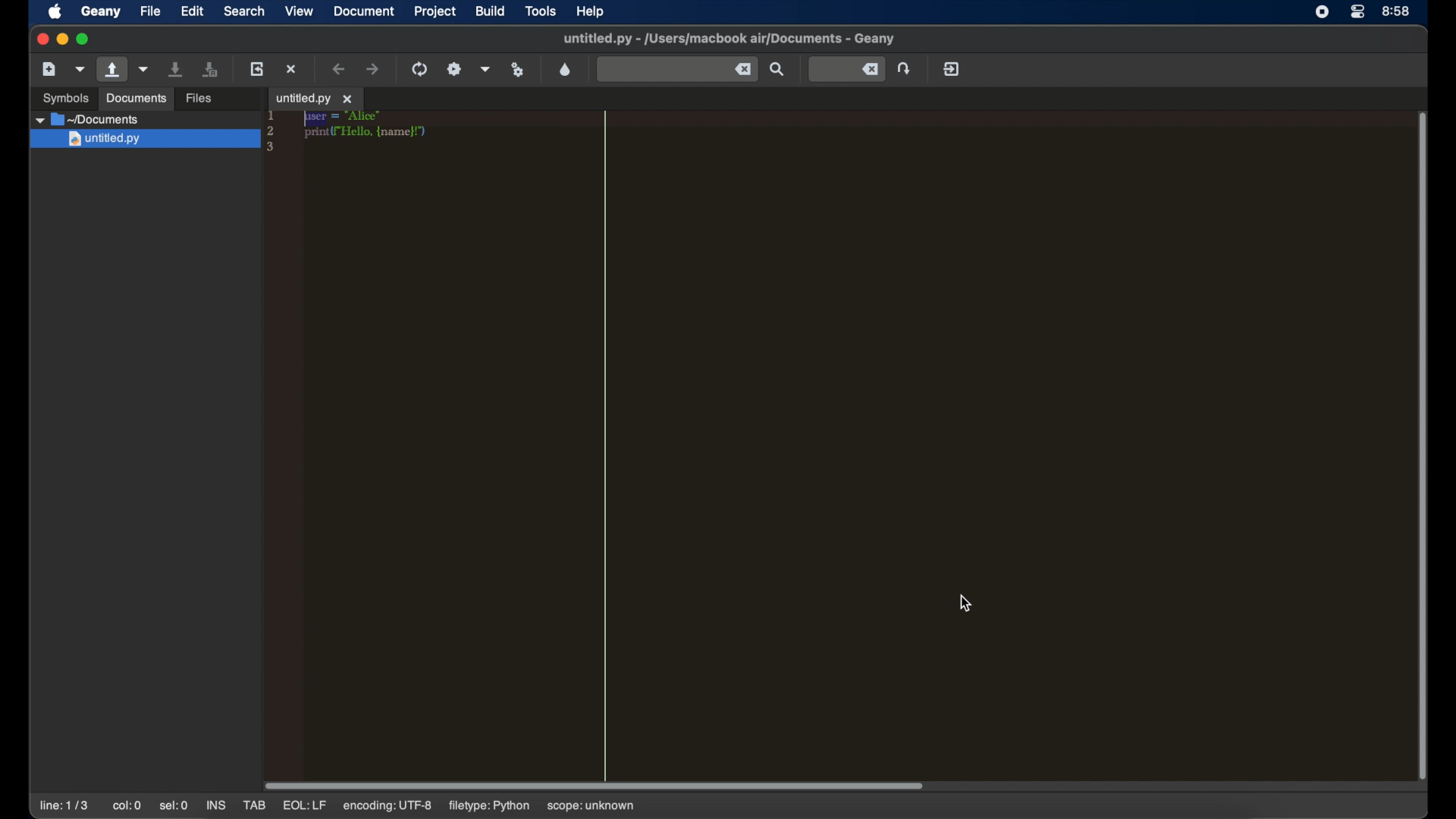 The height and width of the screenshot is (819, 1456). Describe the element at coordinates (372, 68) in the screenshot. I see `navigate forward a location` at that location.